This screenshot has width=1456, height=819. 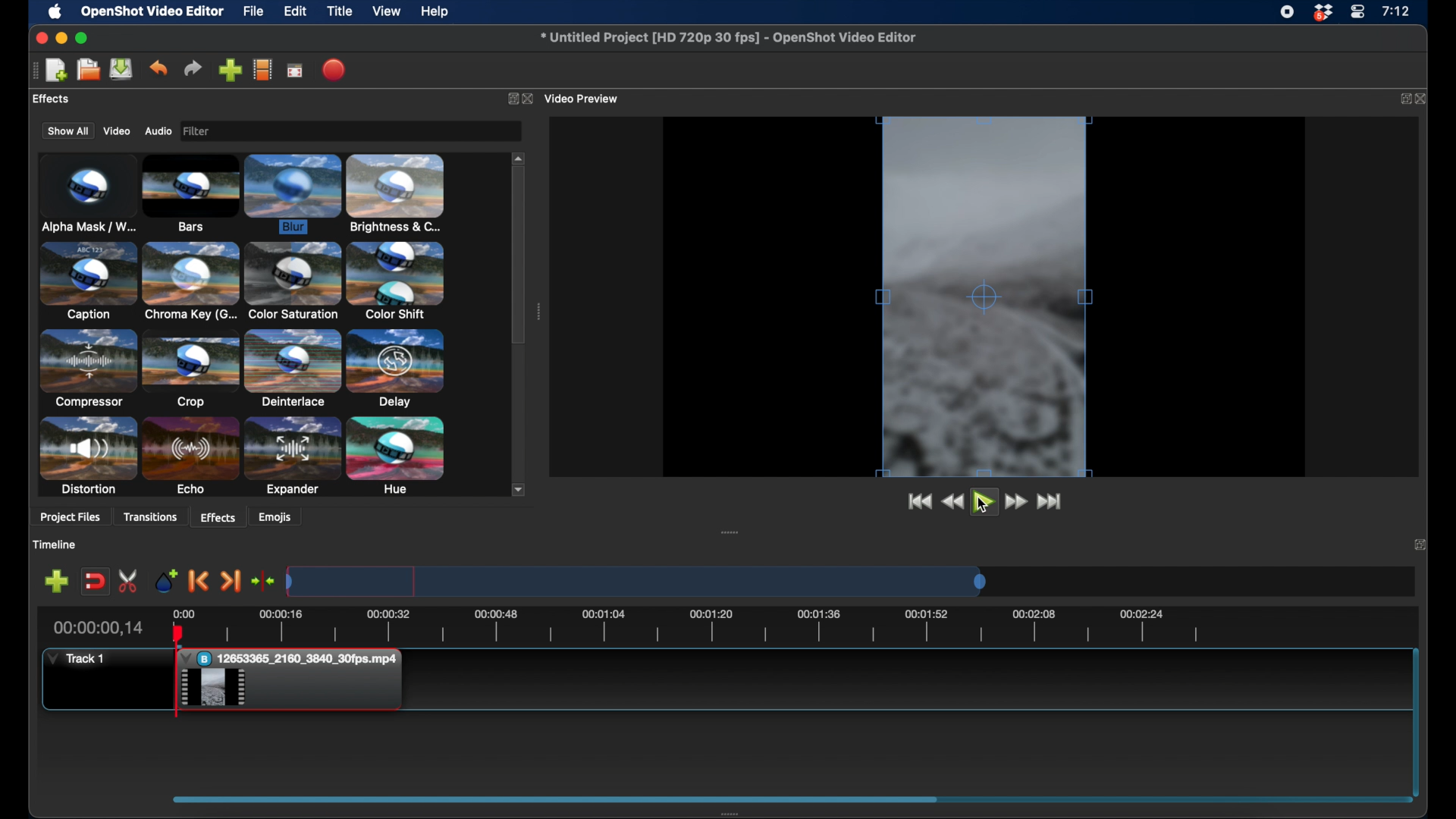 I want to click on File added to timeline, so click(x=294, y=681).